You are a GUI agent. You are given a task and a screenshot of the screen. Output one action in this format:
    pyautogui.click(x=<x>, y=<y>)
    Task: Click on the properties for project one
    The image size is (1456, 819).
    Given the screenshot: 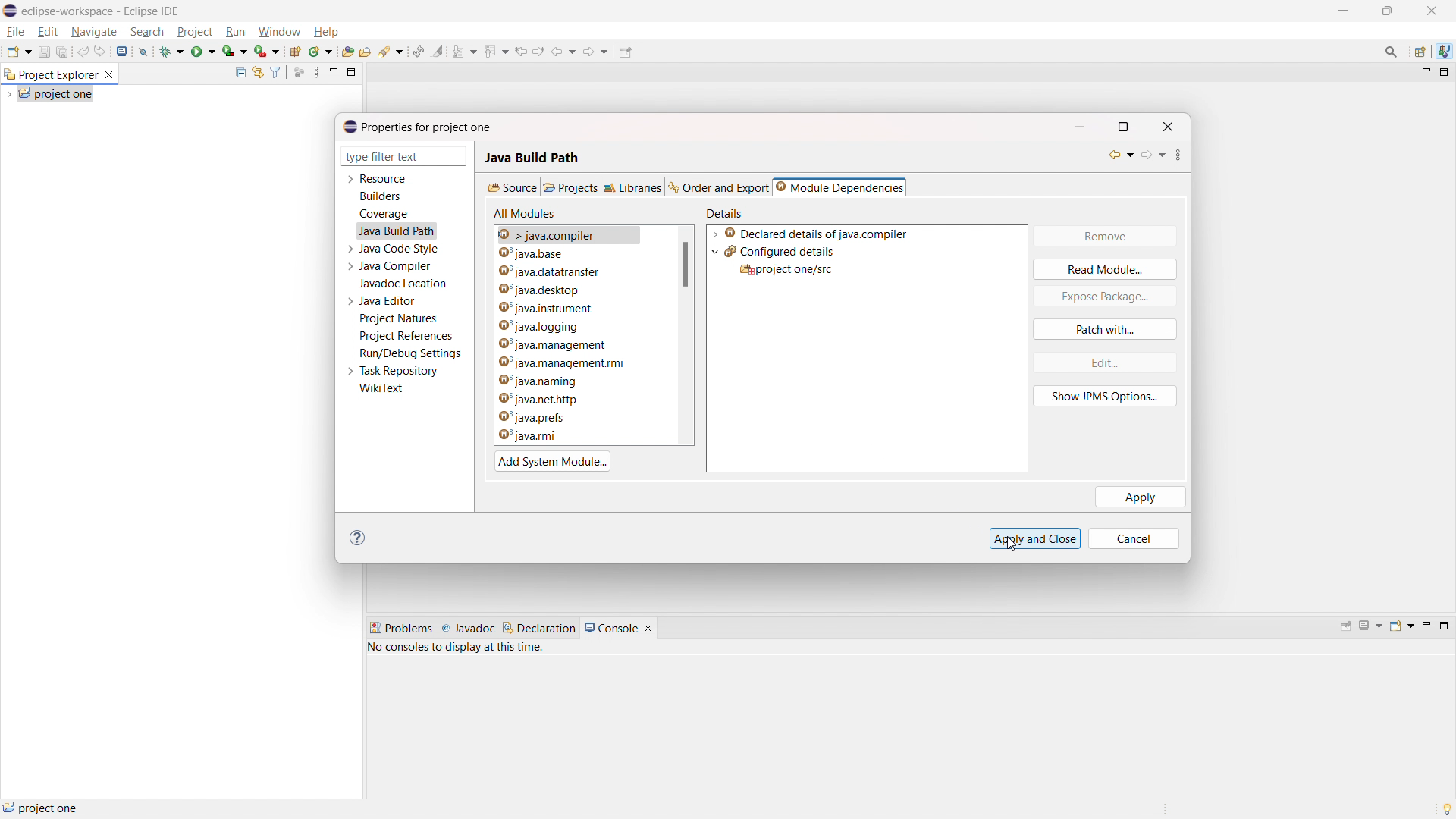 What is the action you would take?
    pyautogui.click(x=418, y=127)
    